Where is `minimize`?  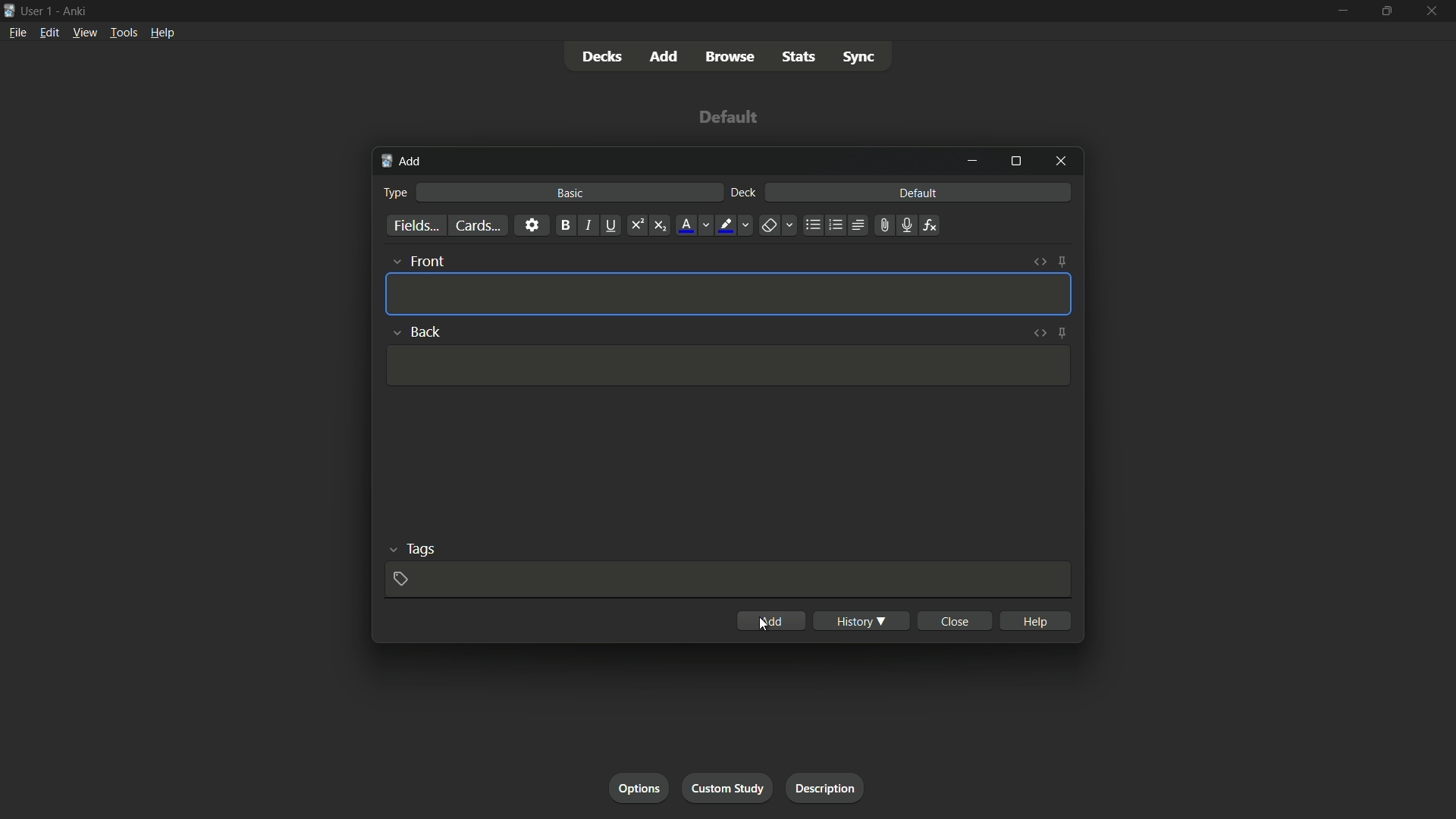 minimize is located at coordinates (1344, 10).